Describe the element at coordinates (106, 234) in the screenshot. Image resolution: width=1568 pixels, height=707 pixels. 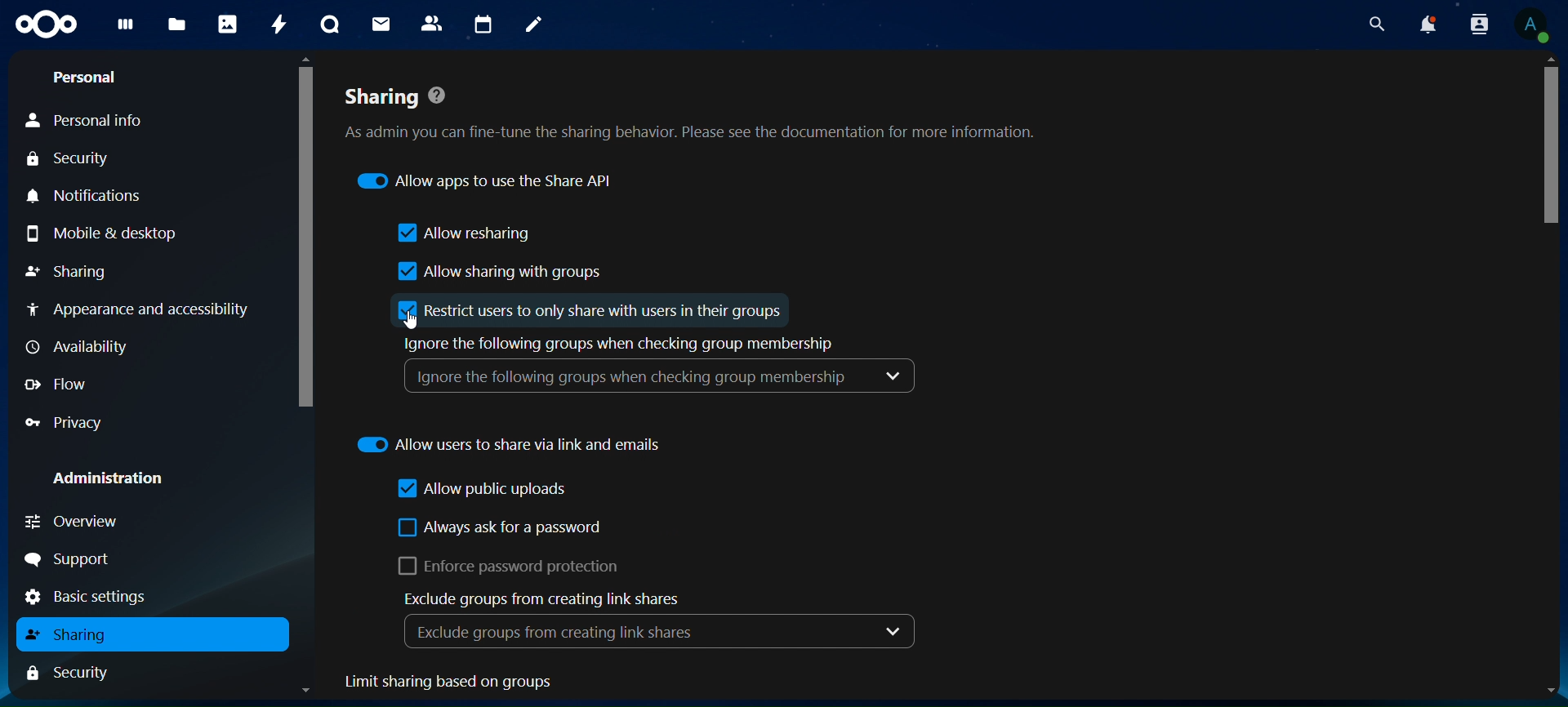
I see `mobile & desktop` at that location.